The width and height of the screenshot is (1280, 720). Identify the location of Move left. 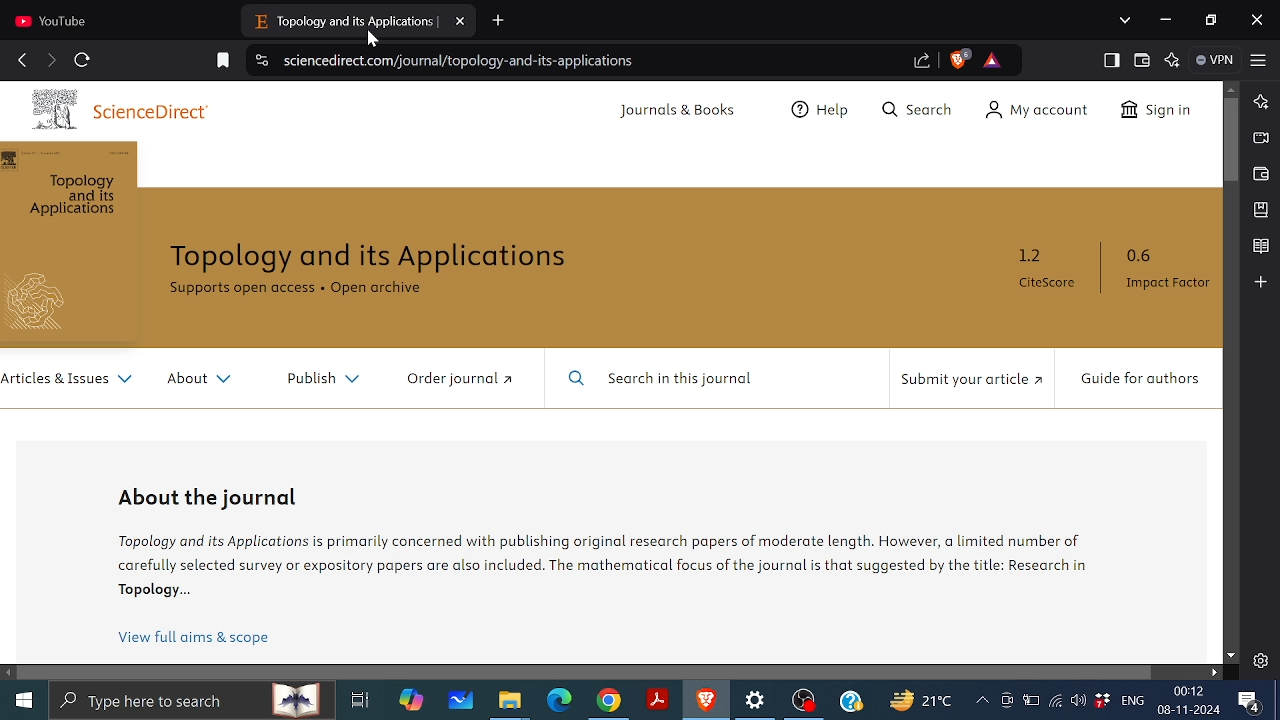
(9, 673).